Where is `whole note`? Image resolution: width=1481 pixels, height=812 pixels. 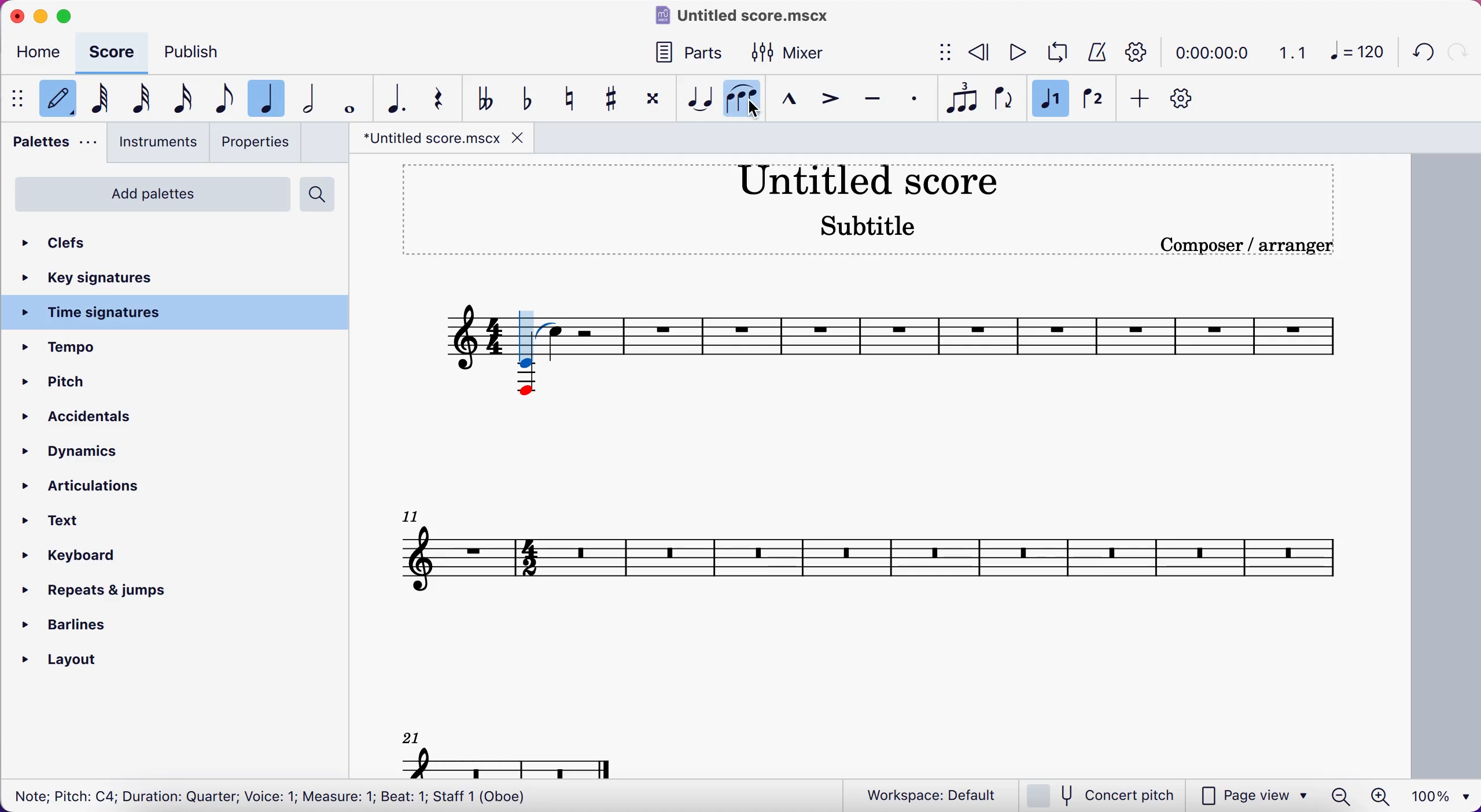
whole note is located at coordinates (351, 98).